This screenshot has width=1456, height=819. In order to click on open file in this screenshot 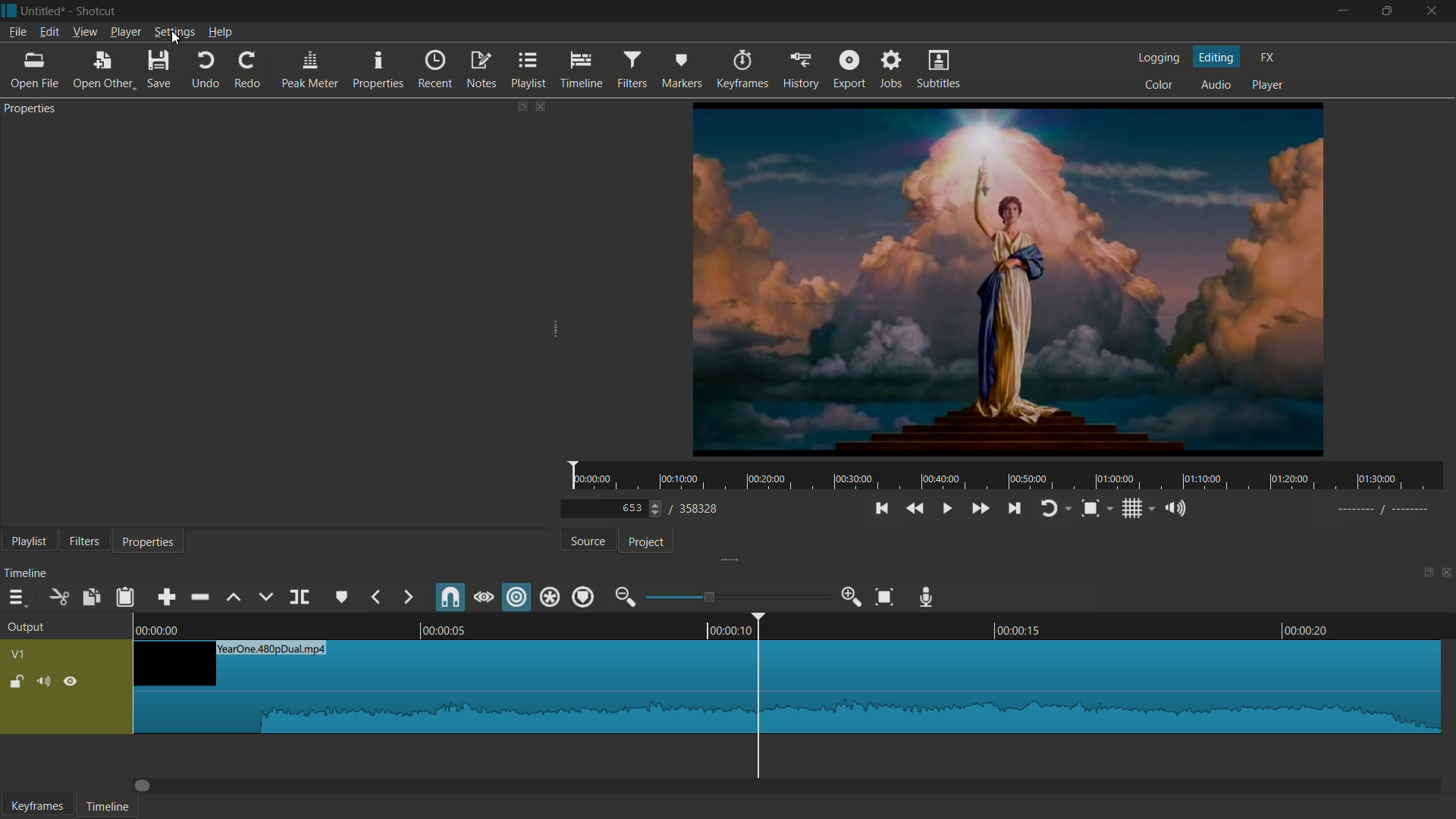, I will do `click(31, 69)`.